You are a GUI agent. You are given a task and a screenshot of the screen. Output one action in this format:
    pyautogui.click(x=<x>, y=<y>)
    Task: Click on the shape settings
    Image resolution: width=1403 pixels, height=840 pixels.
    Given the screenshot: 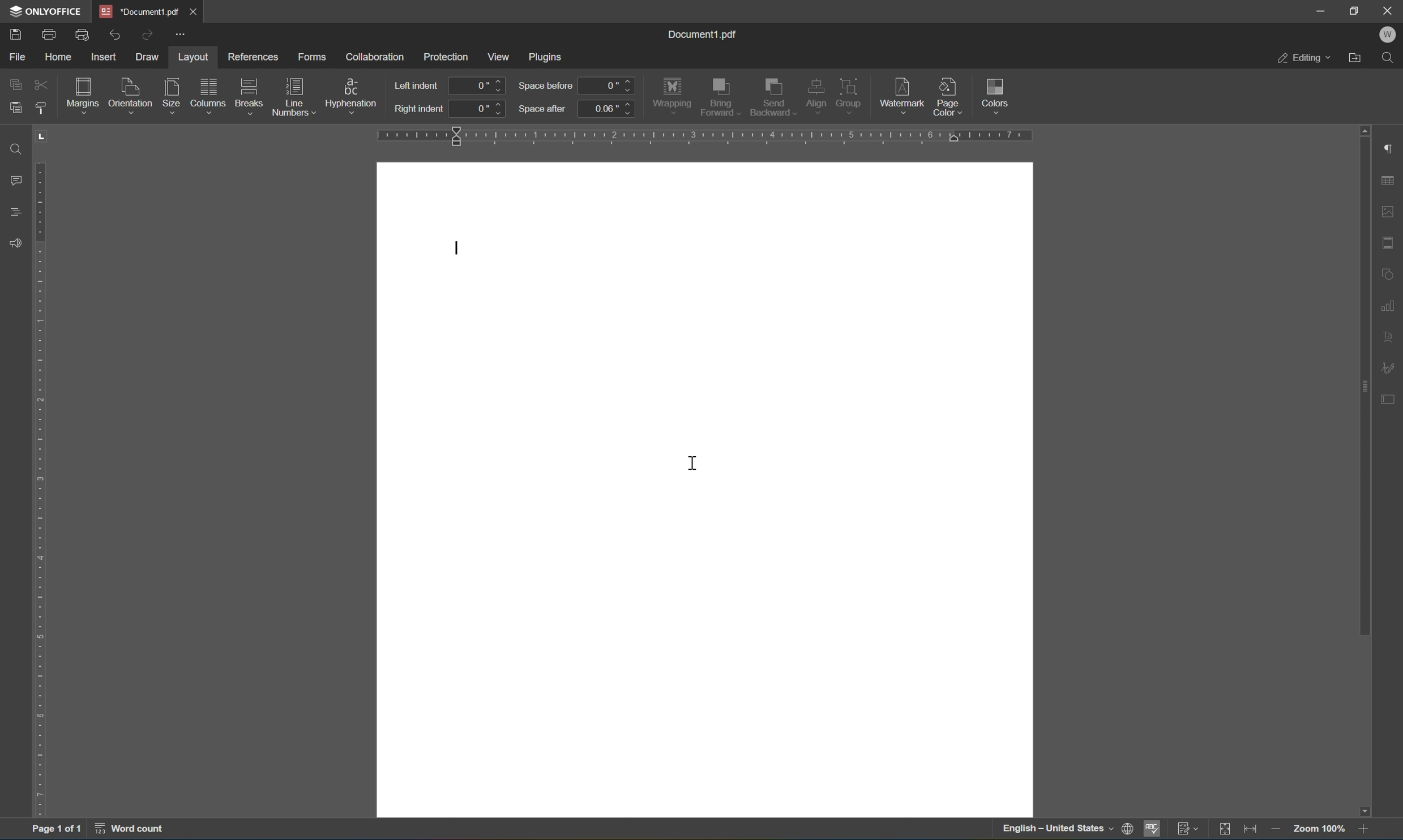 What is the action you would take?
    pyautogui.click(x=1391, y=274)
    